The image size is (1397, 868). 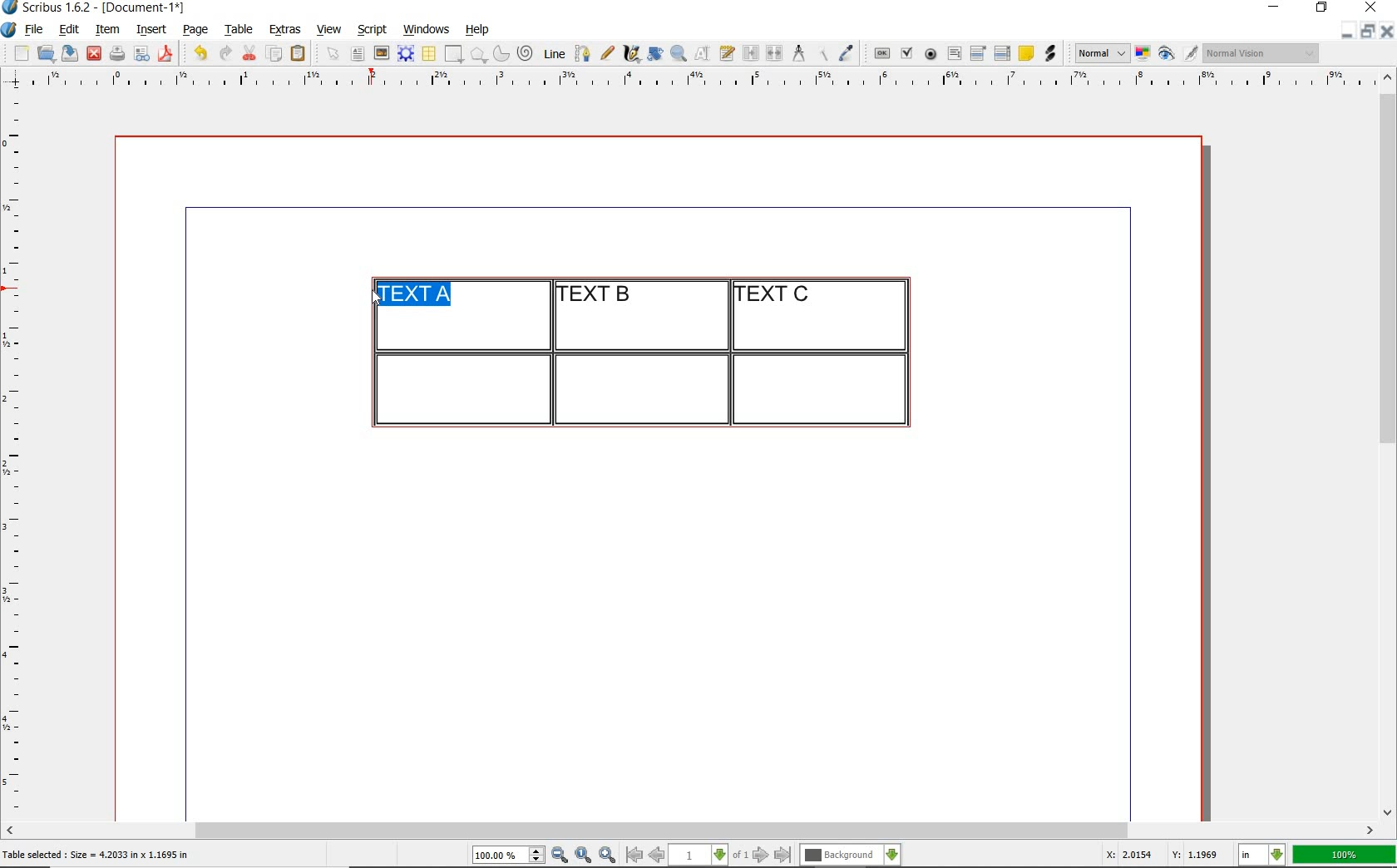 I want to click on Table selected : Size = 4.2033 in x 1.1695 in, so click(x=96, y=854).